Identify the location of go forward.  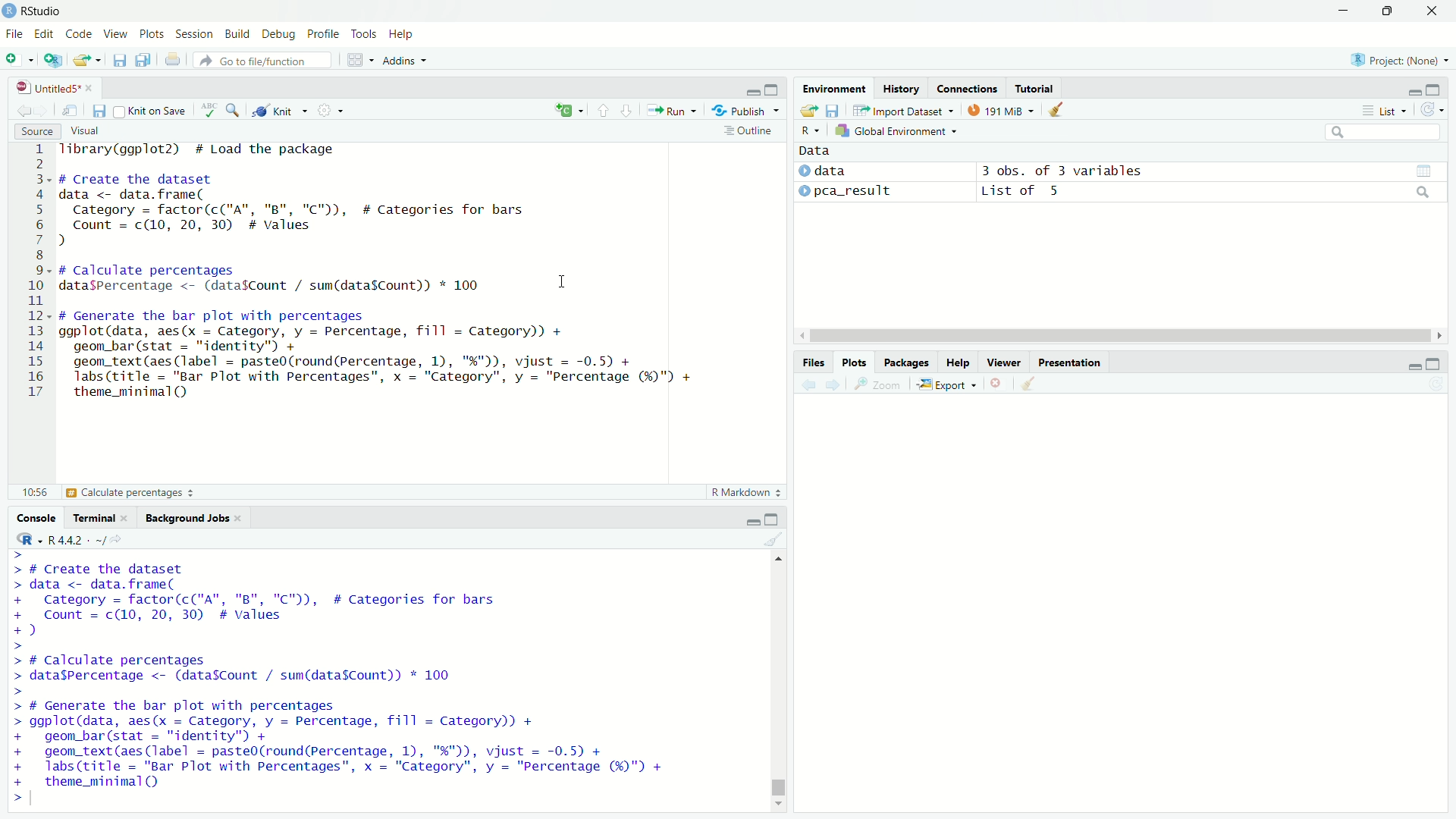
(43, 111).